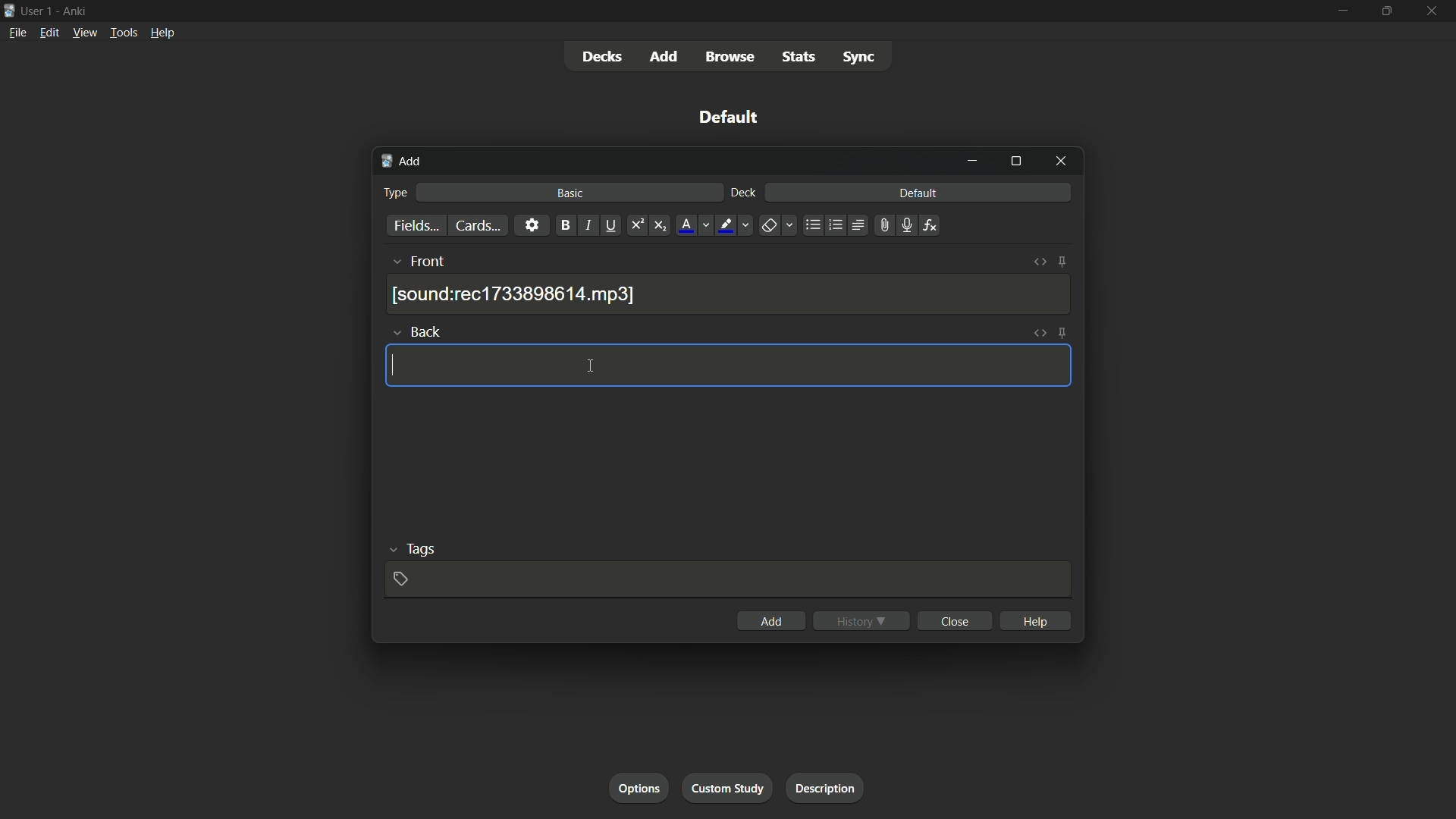 This screenshot has width=1456, height=819. I want to click on cards, so click(475, 225).